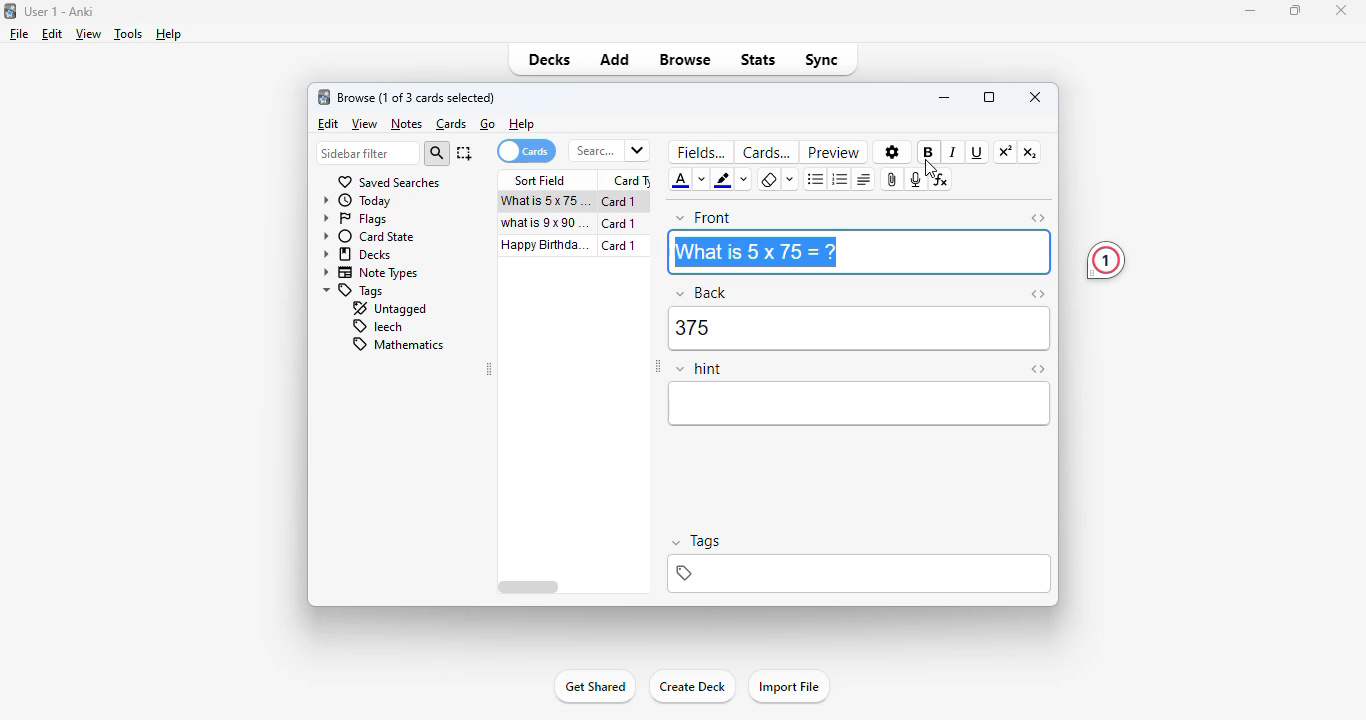  What do you see at coordinates (406, 124) in the screenshot?
I see `notes` at bounding box center [406, 124].